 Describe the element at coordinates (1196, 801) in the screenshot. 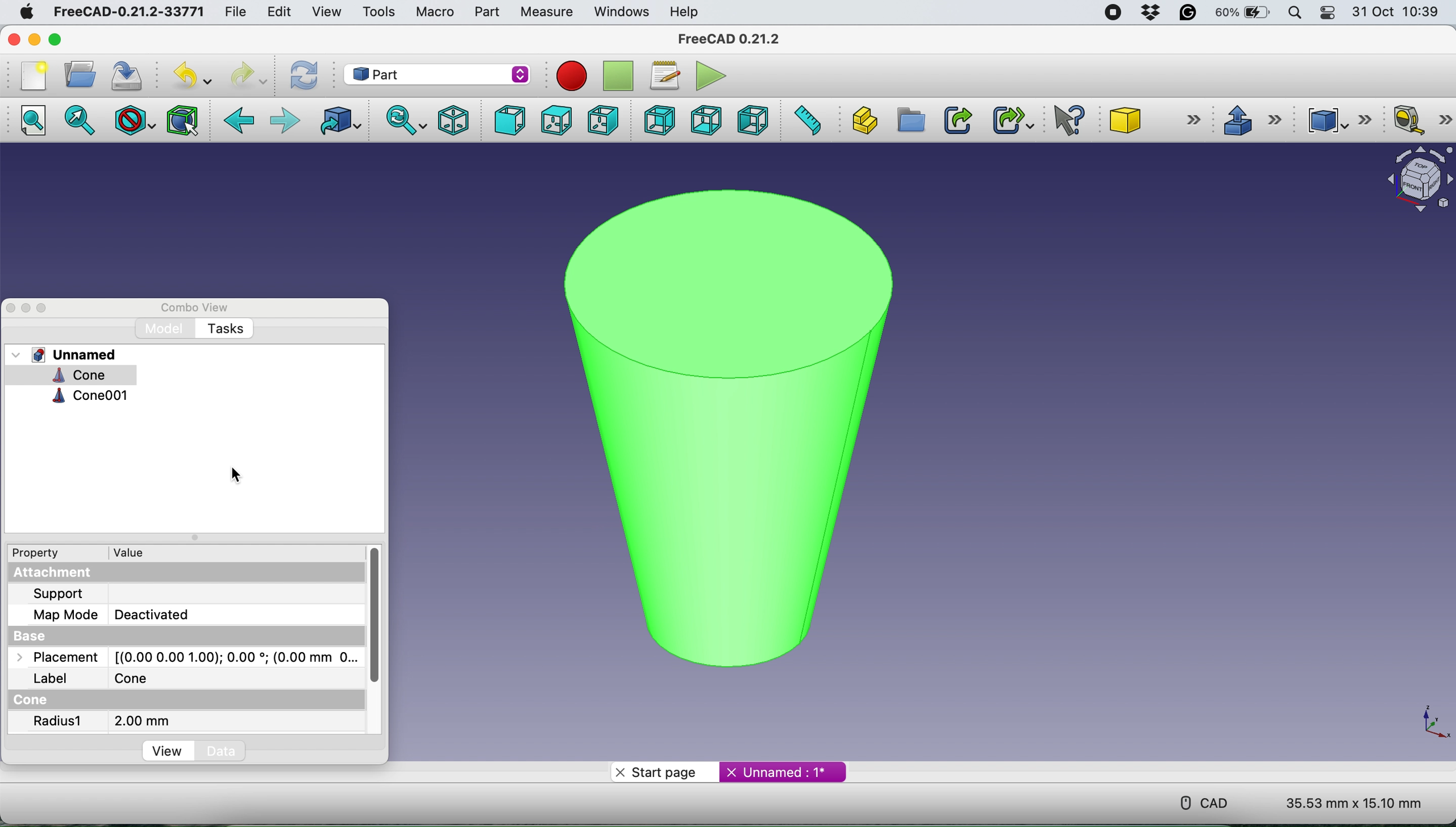

I see `cad` at that location.